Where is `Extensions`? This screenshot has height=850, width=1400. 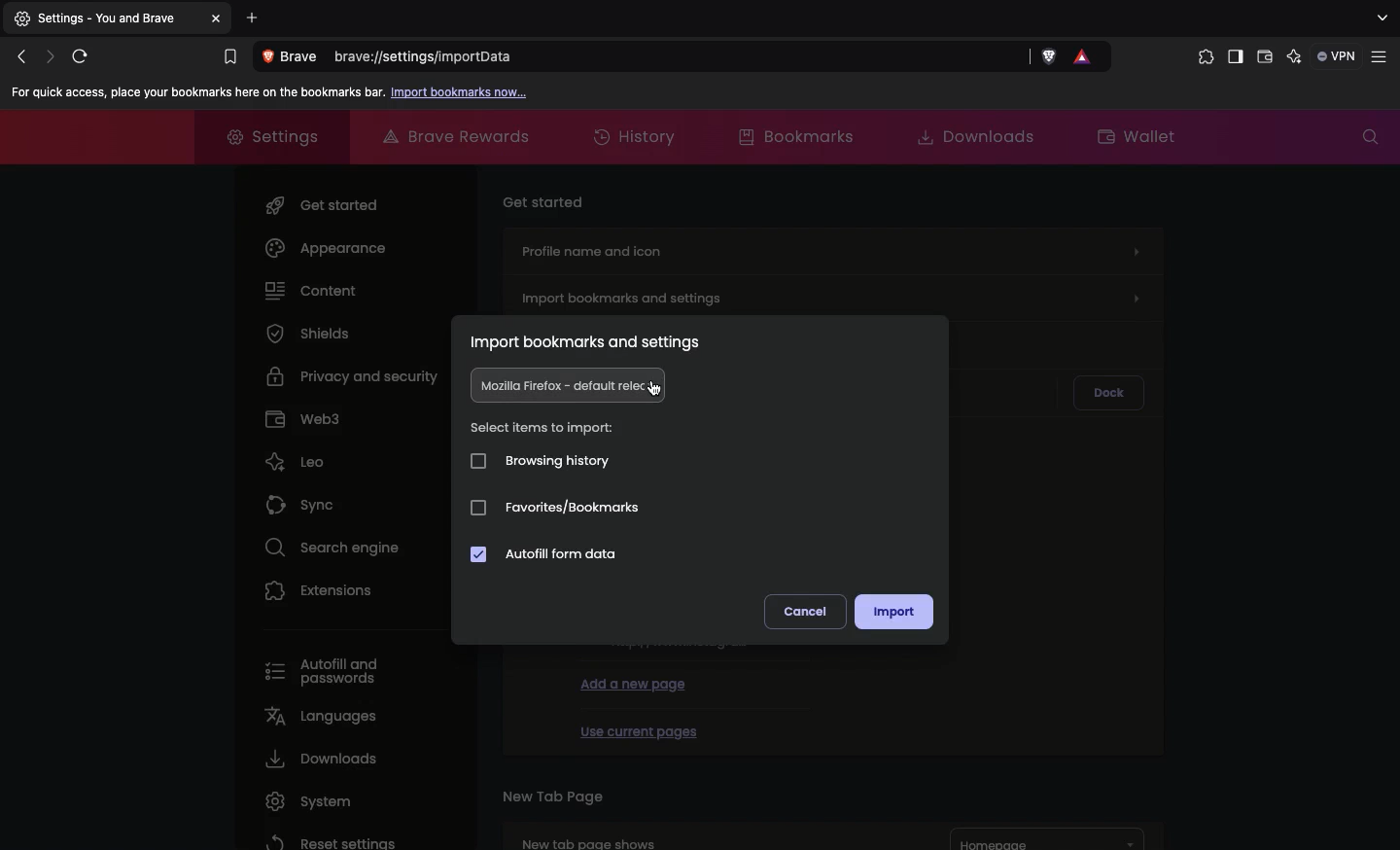 Extensions is located at coordinates (1202, 57).